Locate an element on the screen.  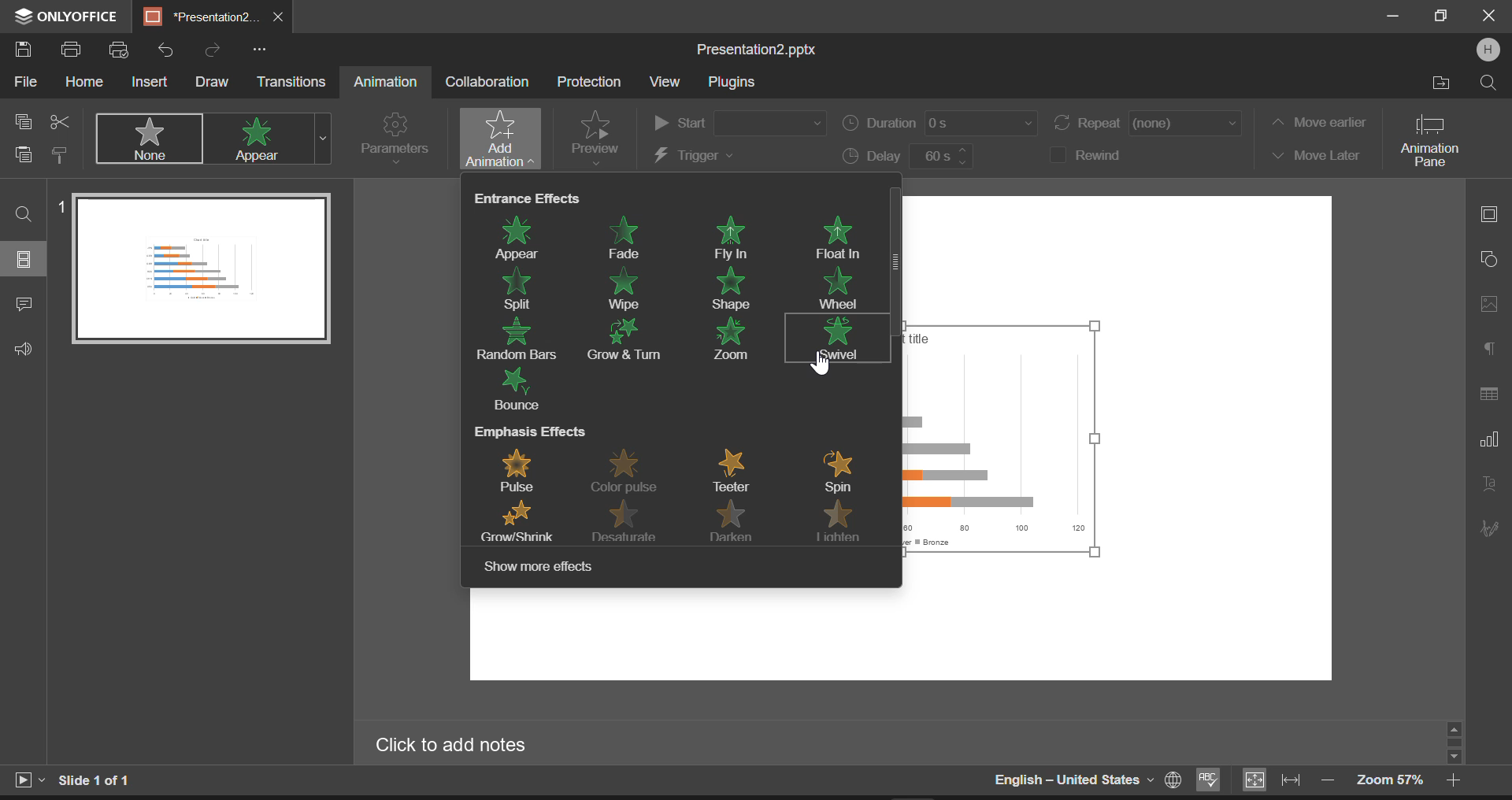
Desaturate is located at coordinates (630, 522).